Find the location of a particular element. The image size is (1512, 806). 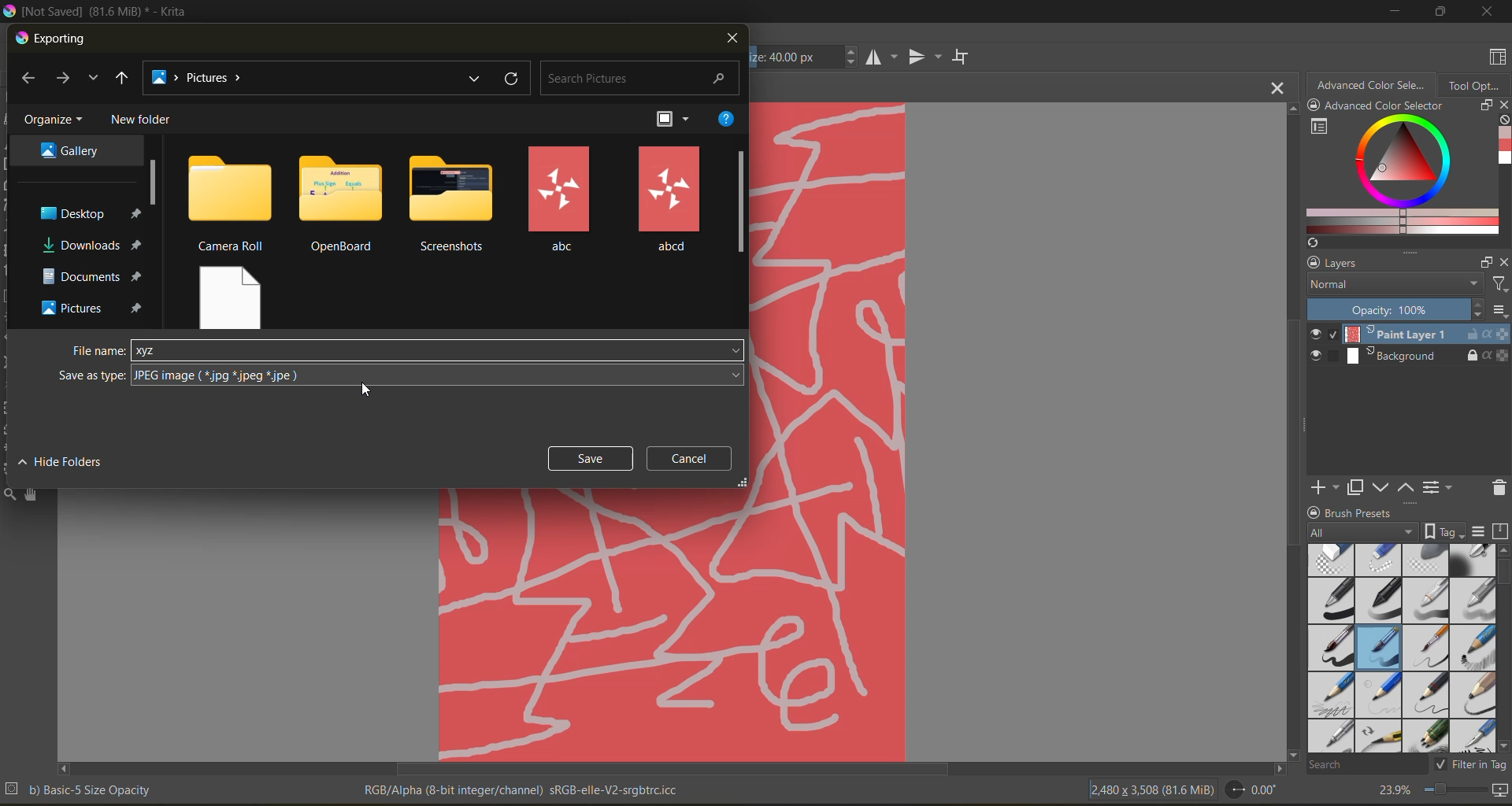

vertical scroll bar is located at coordinates (741, 202).